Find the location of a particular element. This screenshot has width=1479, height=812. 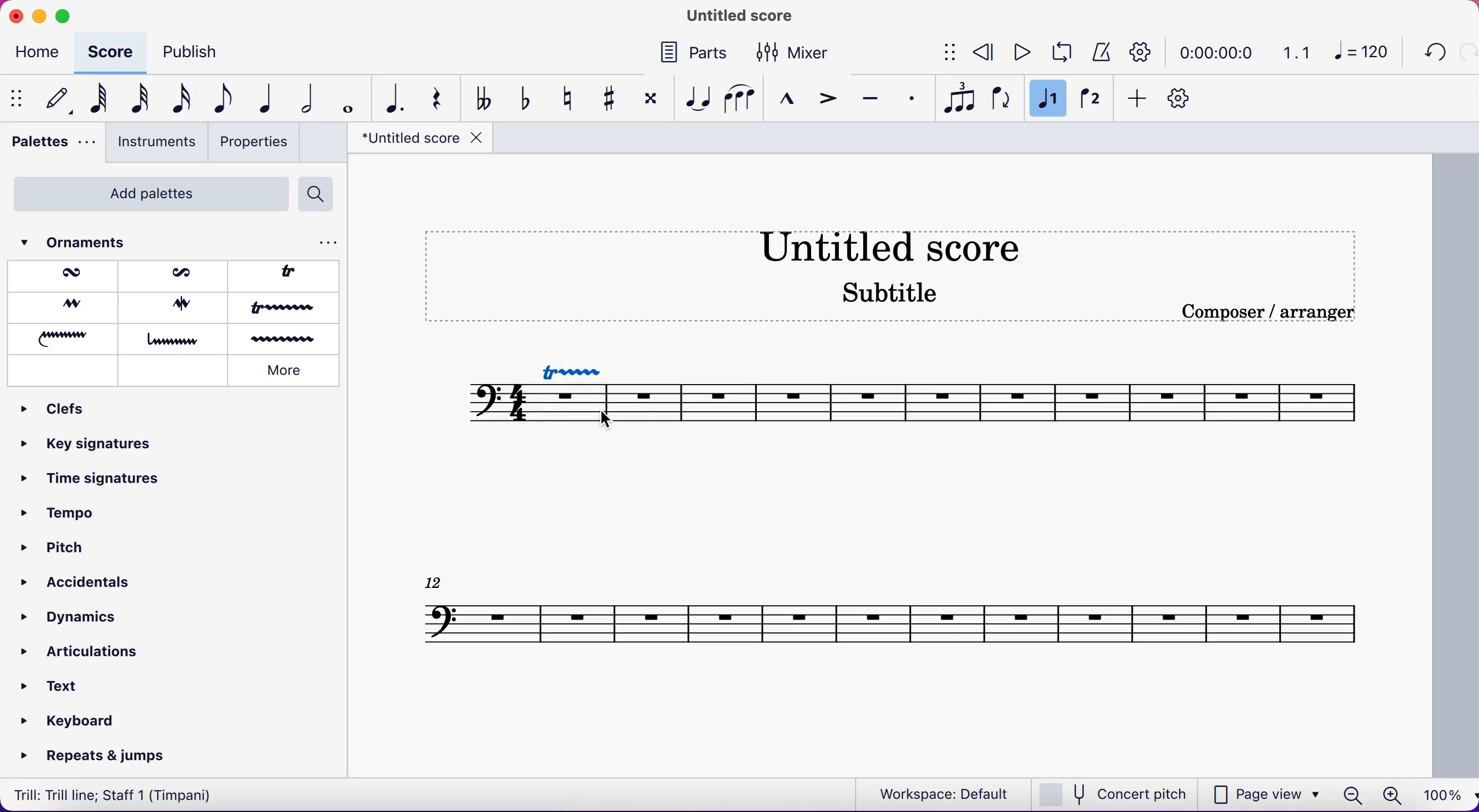

voice 2 is located at coordinates (1090, 100).